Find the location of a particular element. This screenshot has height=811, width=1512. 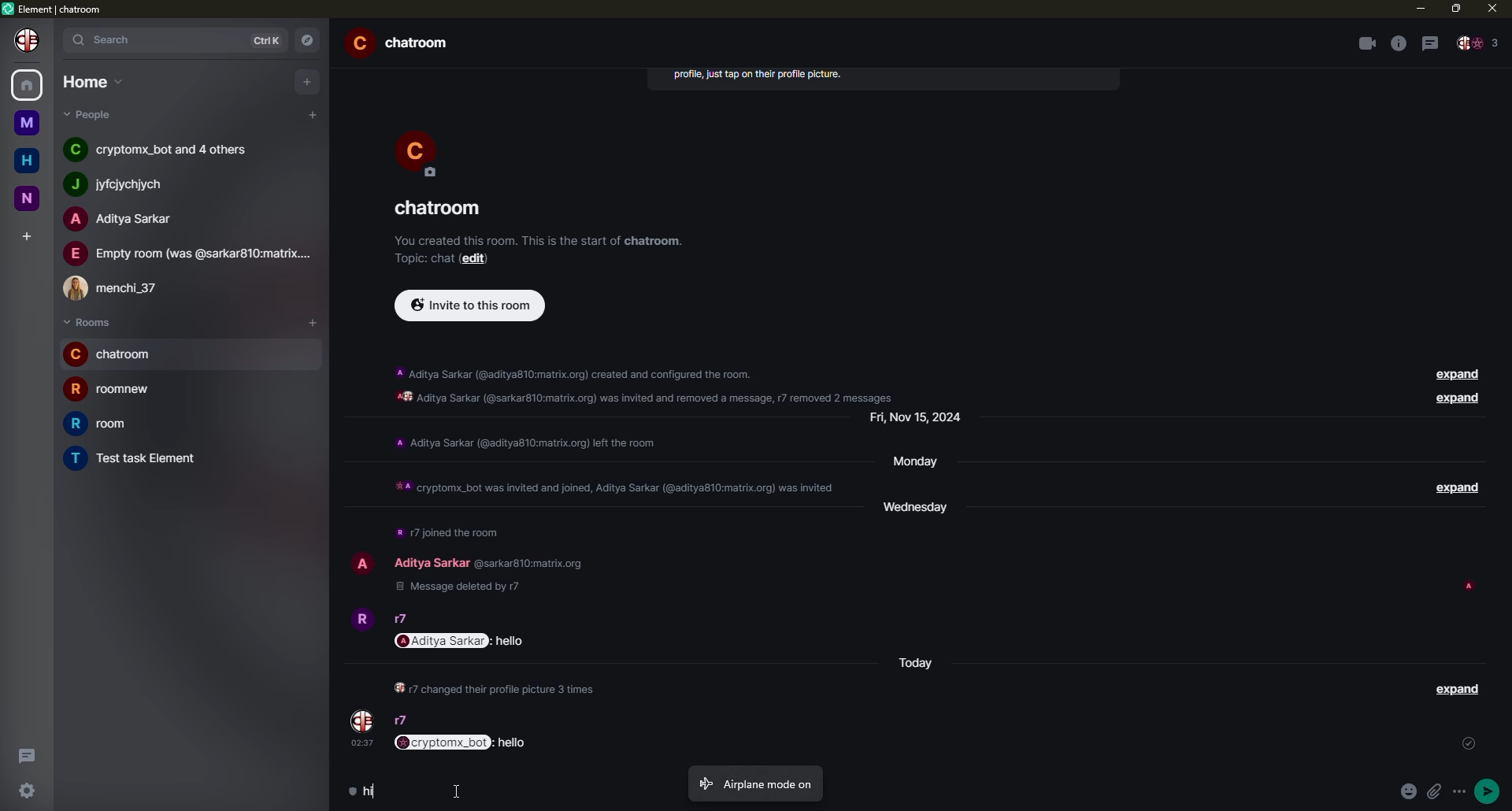

profile is located at coordinates (26, 41).